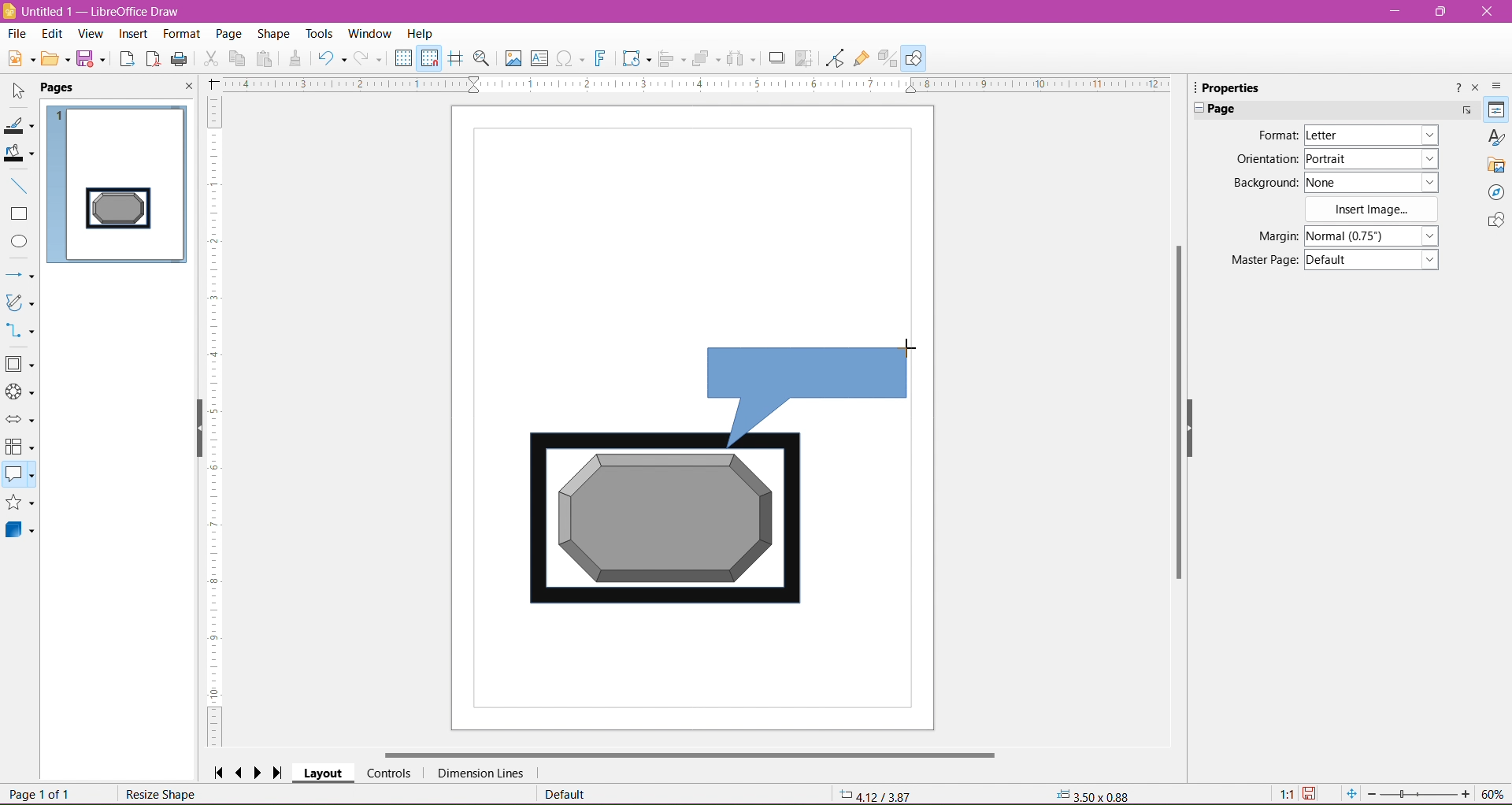  I want to click on Helplines while moving, so click(455, 57).